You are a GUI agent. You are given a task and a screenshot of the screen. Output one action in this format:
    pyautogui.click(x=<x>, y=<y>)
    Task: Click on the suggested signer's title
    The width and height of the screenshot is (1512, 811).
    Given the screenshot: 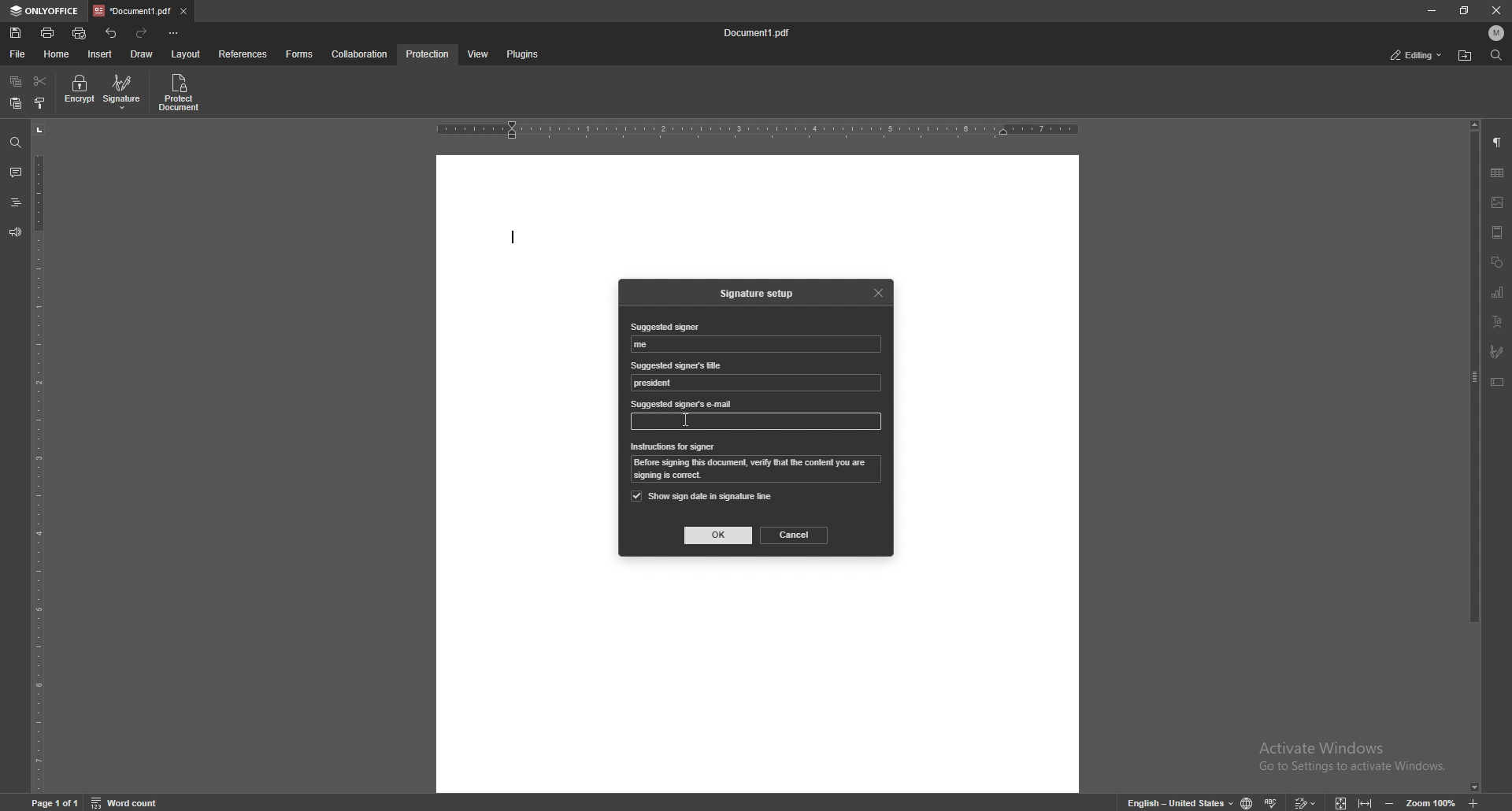 What is the action you would take?
    pyautogui.click(x=656, y=383)
    